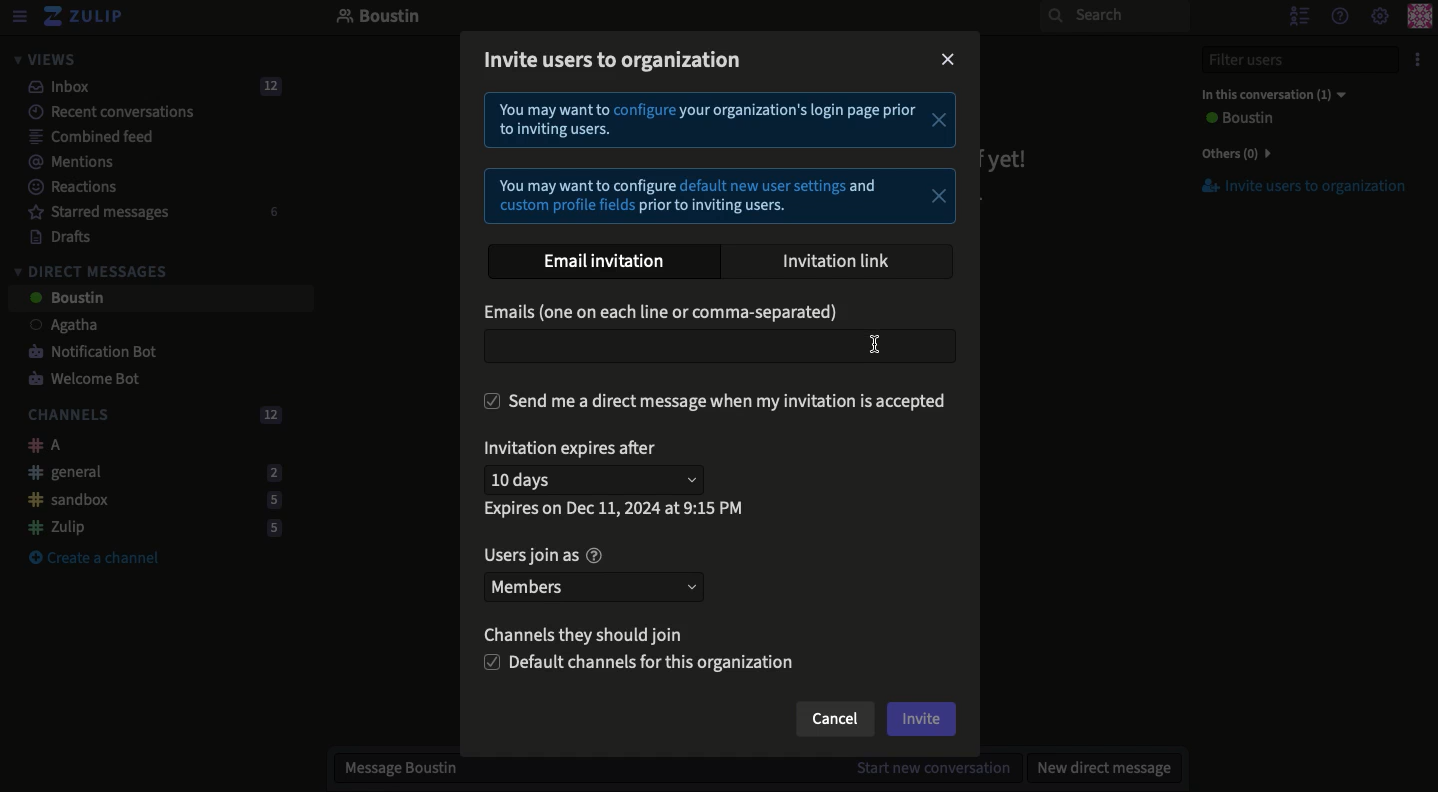  What do you see at coordinates (615, 63) in the screenshot?
I see `Invite users to organization` at bounding box center [615, 63].